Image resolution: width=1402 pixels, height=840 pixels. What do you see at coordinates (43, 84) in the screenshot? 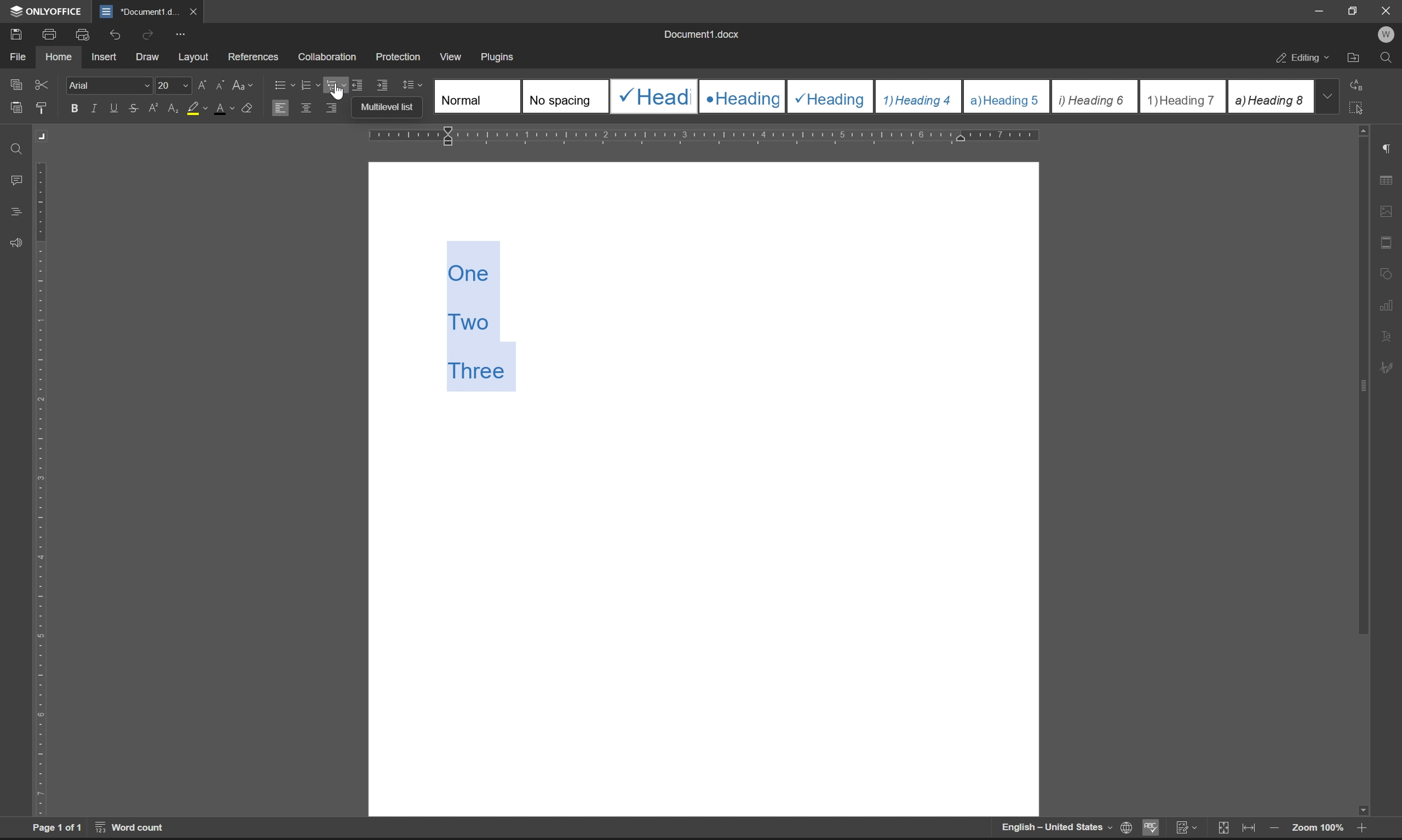
I see `cut` at bounding box center [43, 84].